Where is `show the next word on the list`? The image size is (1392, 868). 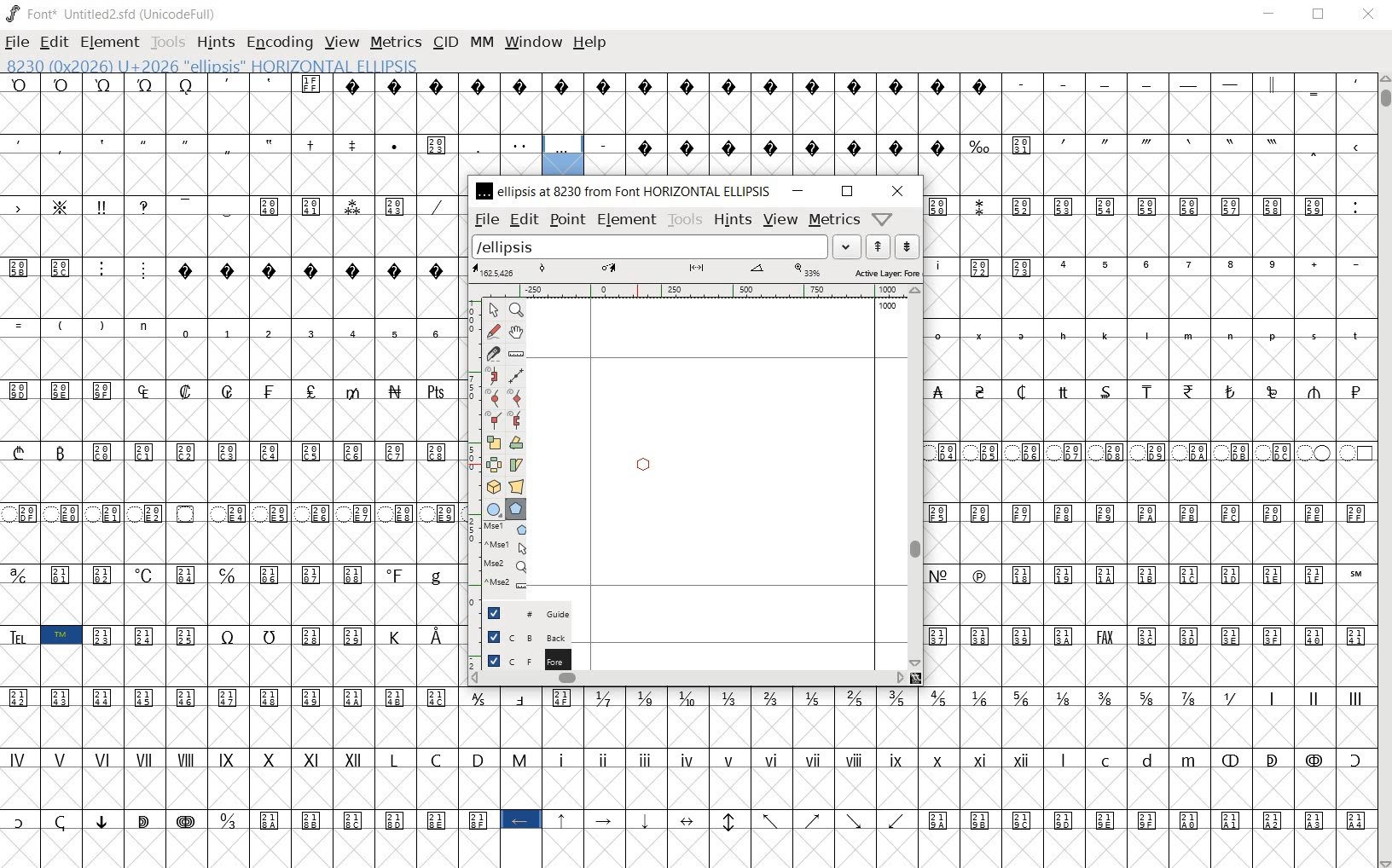 show the next word on the list is located at coordinates (878, 246).